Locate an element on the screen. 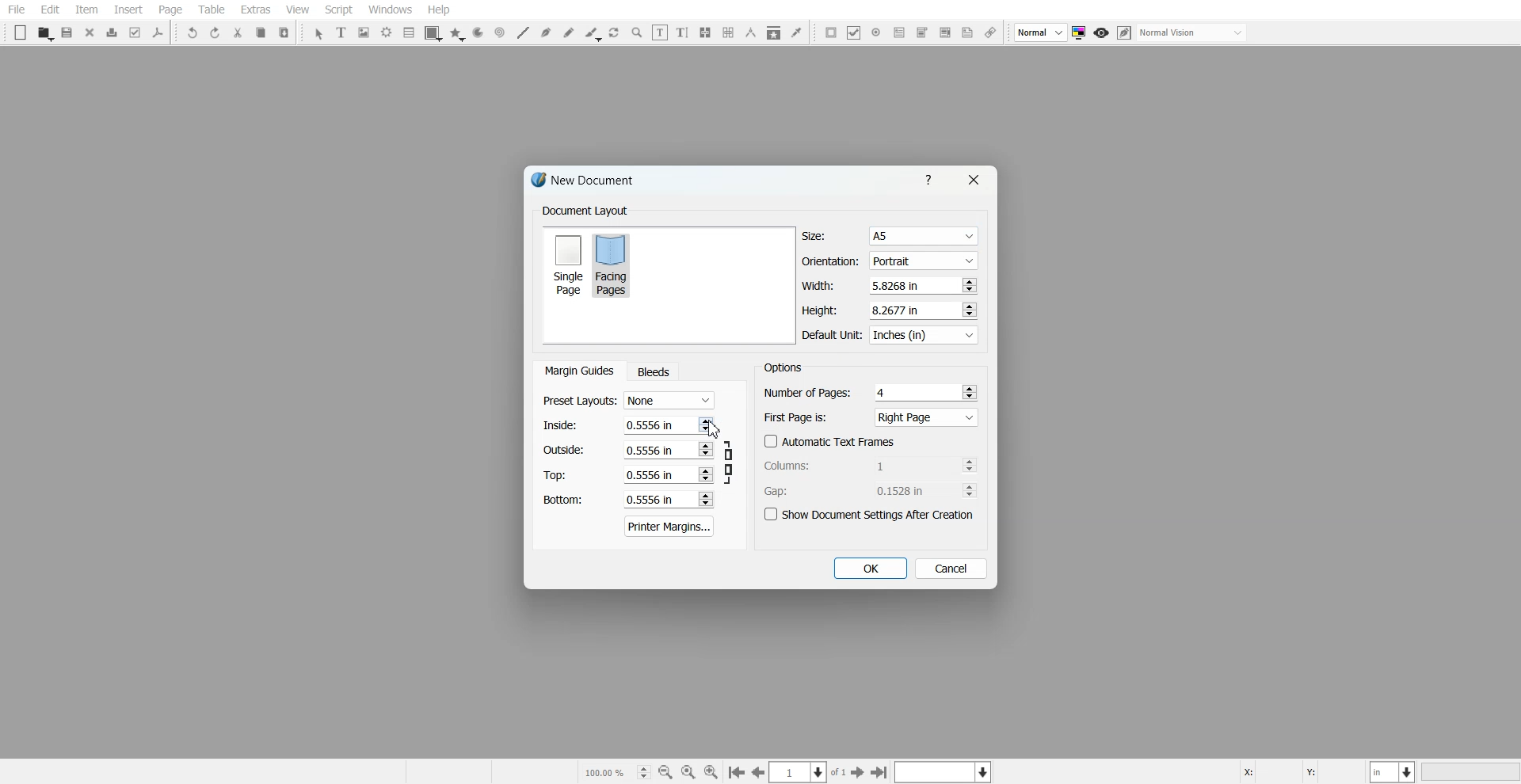 The height and width of the screenshot is (784, 1521). Left margin adjuster is located at coordinates (628, 424).